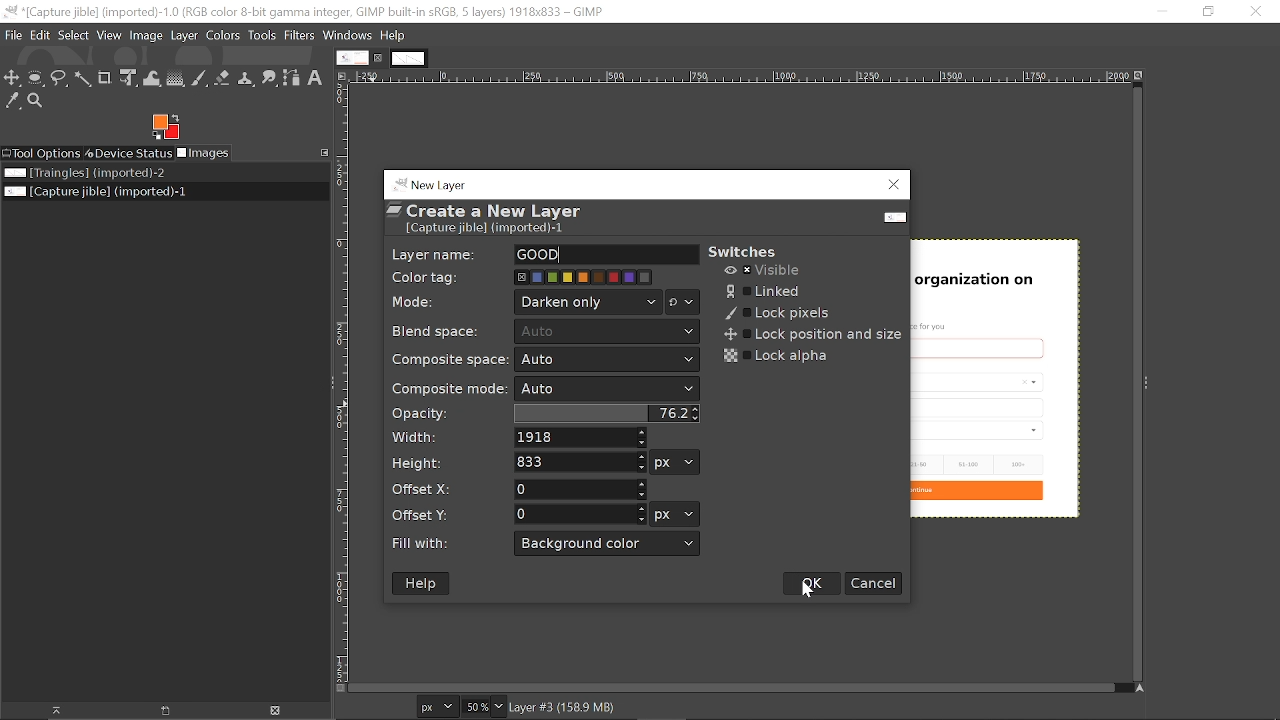  I want to click on Raise this image display, so click(48, 710).